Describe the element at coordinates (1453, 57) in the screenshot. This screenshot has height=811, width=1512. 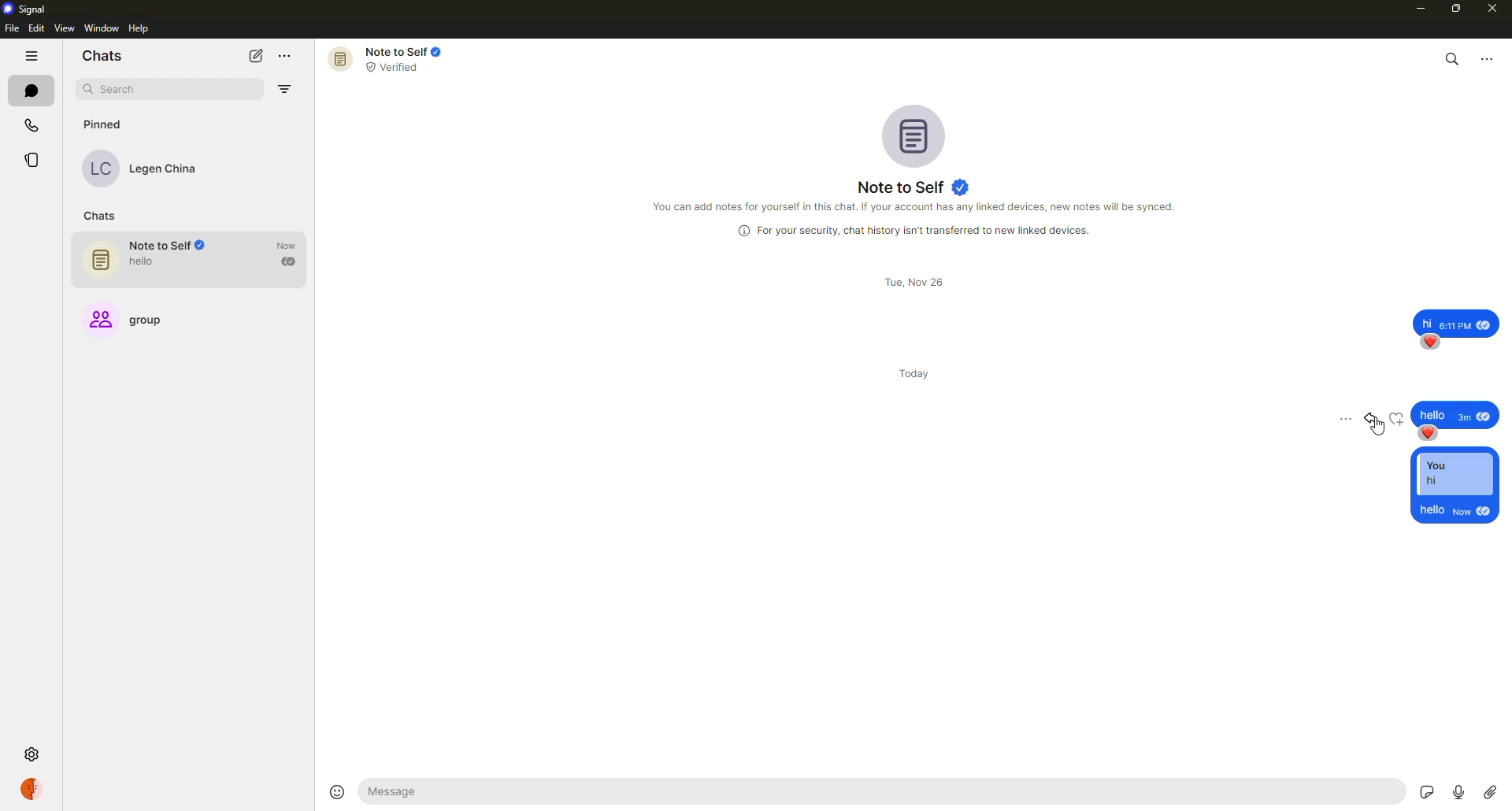
I see `search` at that location.